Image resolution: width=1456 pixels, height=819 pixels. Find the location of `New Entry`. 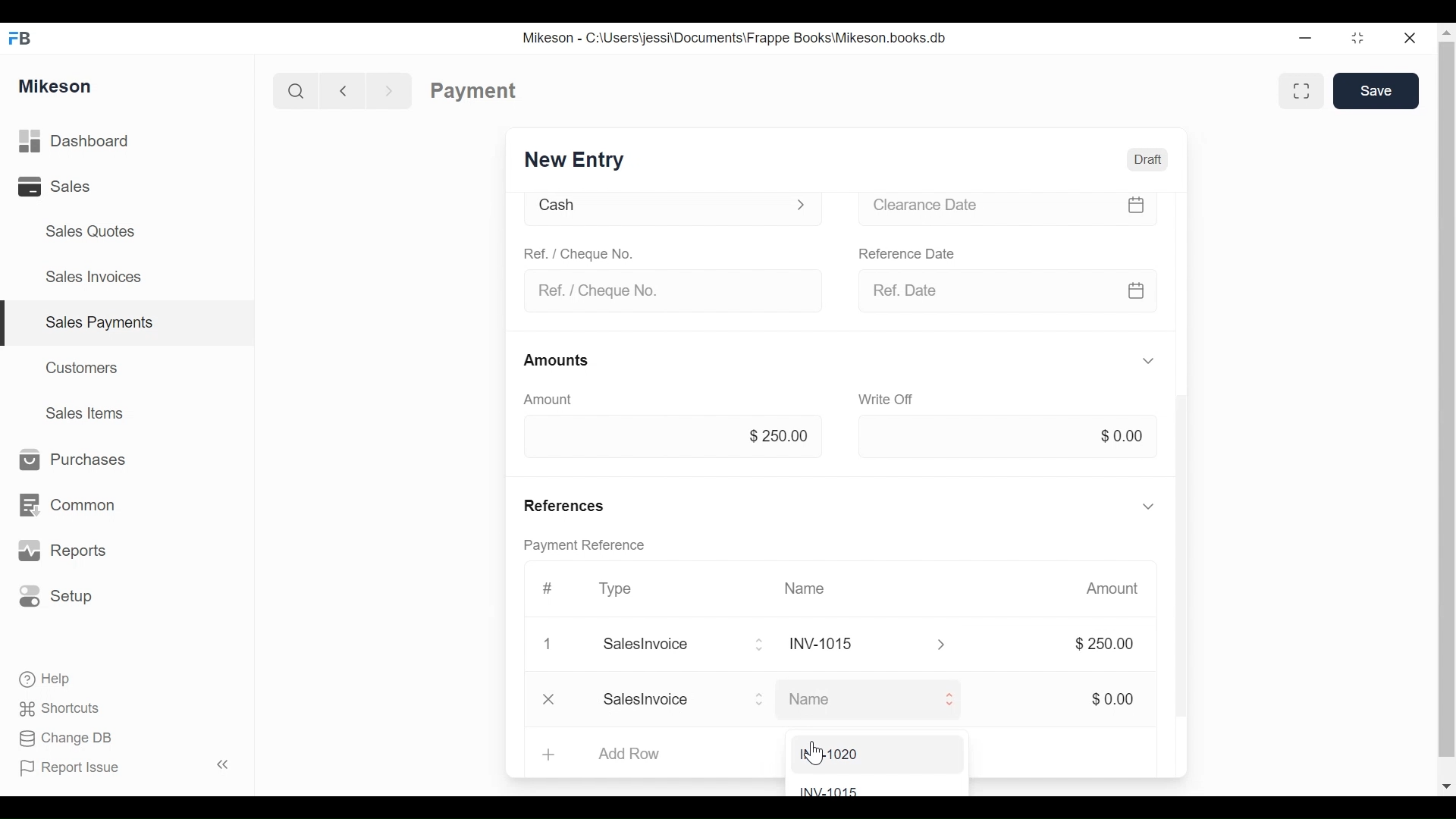

New Entry is located at coordinates (583, 158).